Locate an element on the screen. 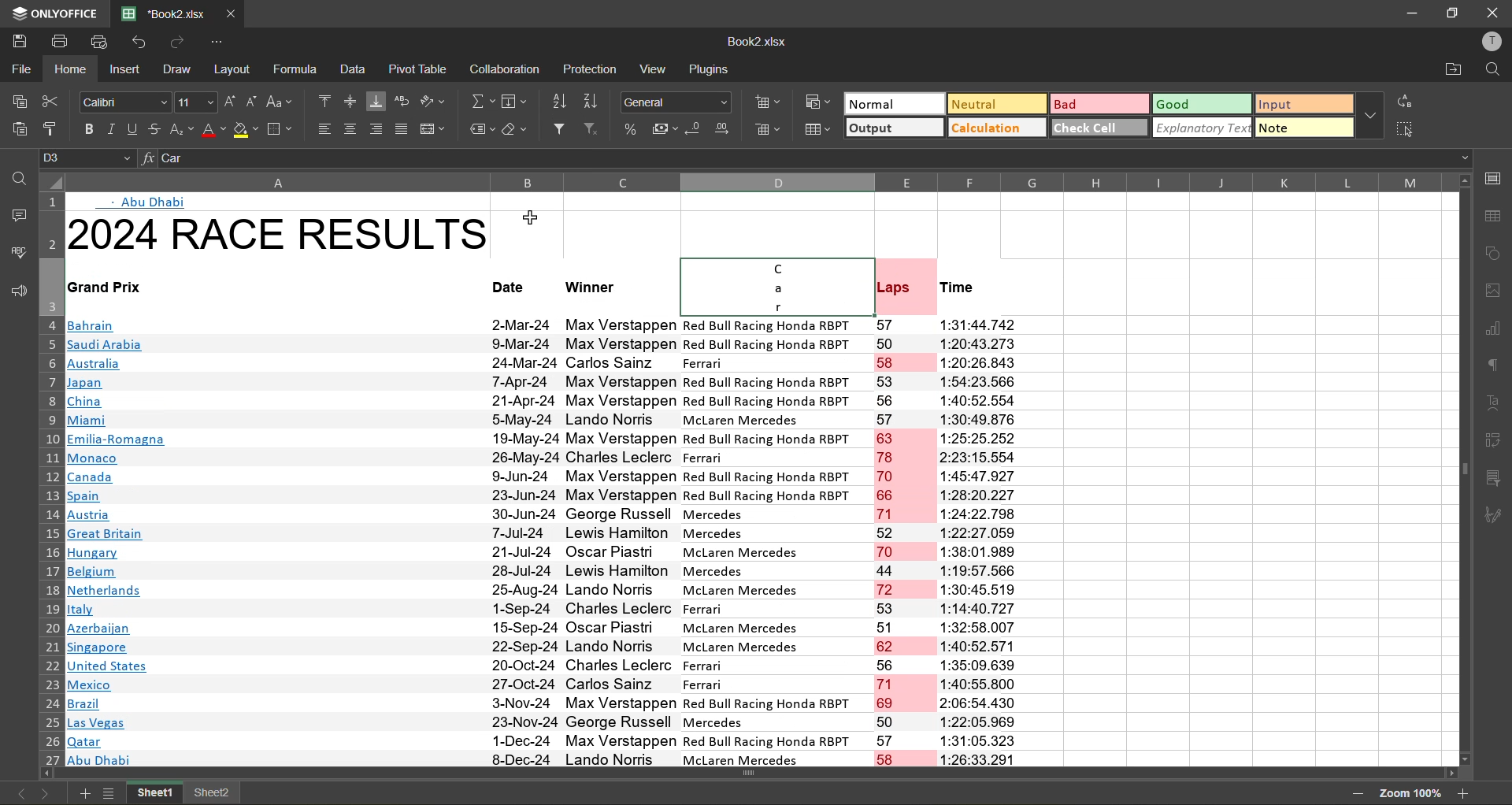  undo is located at coordinates (143, 39).